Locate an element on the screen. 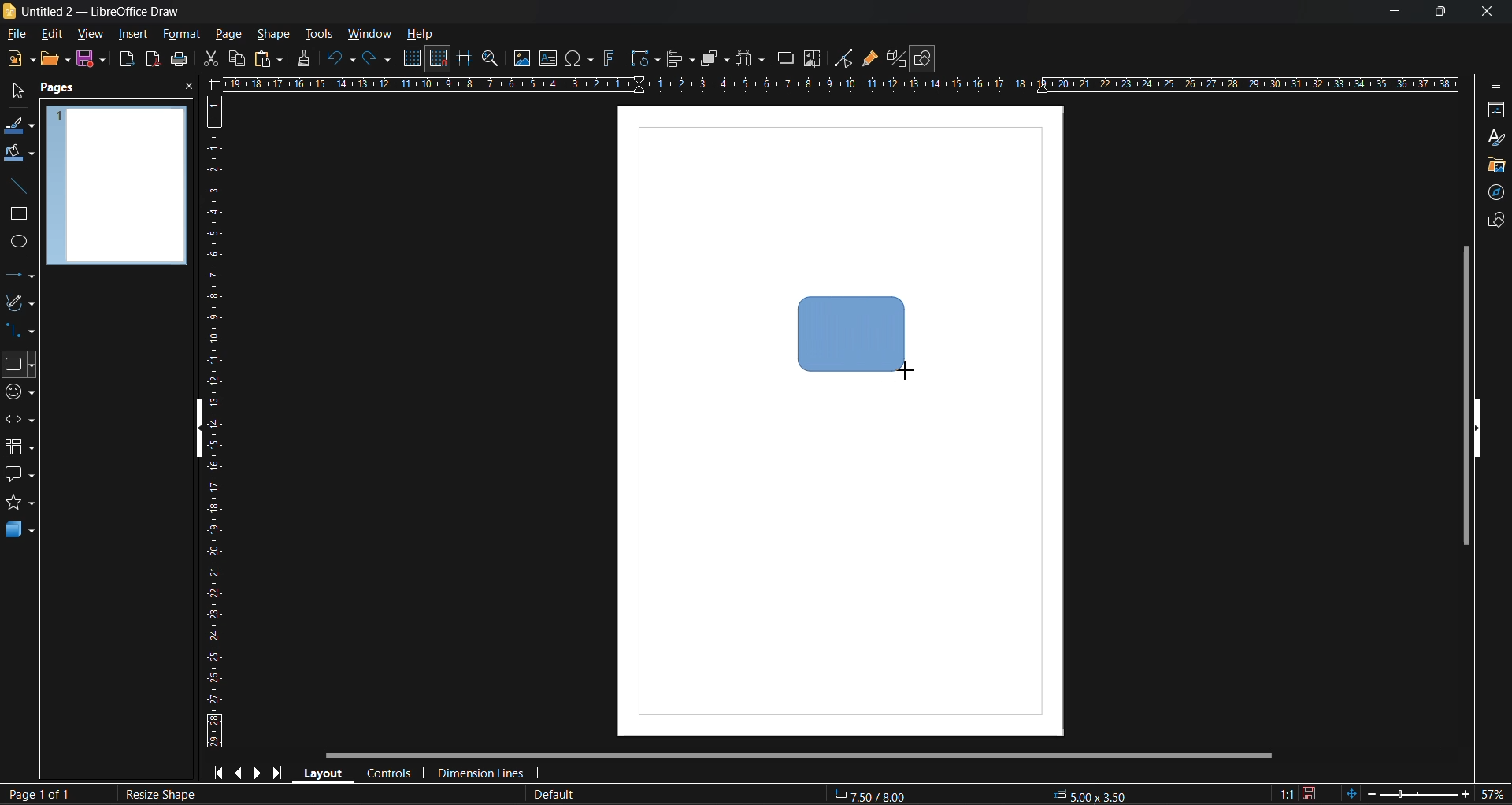  navigator is located at coordinates (1493, 195).